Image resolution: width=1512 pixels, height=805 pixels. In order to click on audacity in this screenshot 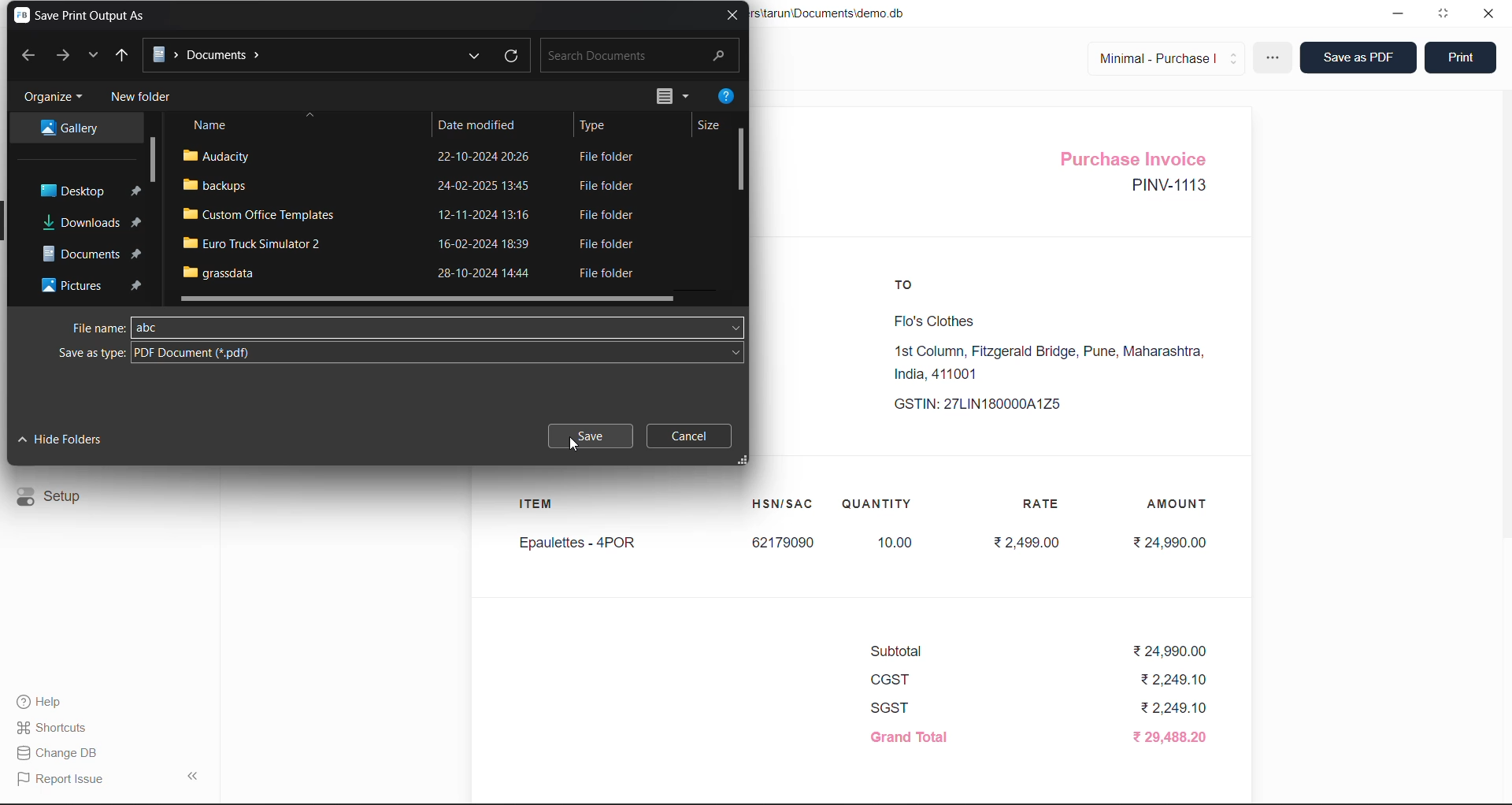, I will do `click(227, 157)`.